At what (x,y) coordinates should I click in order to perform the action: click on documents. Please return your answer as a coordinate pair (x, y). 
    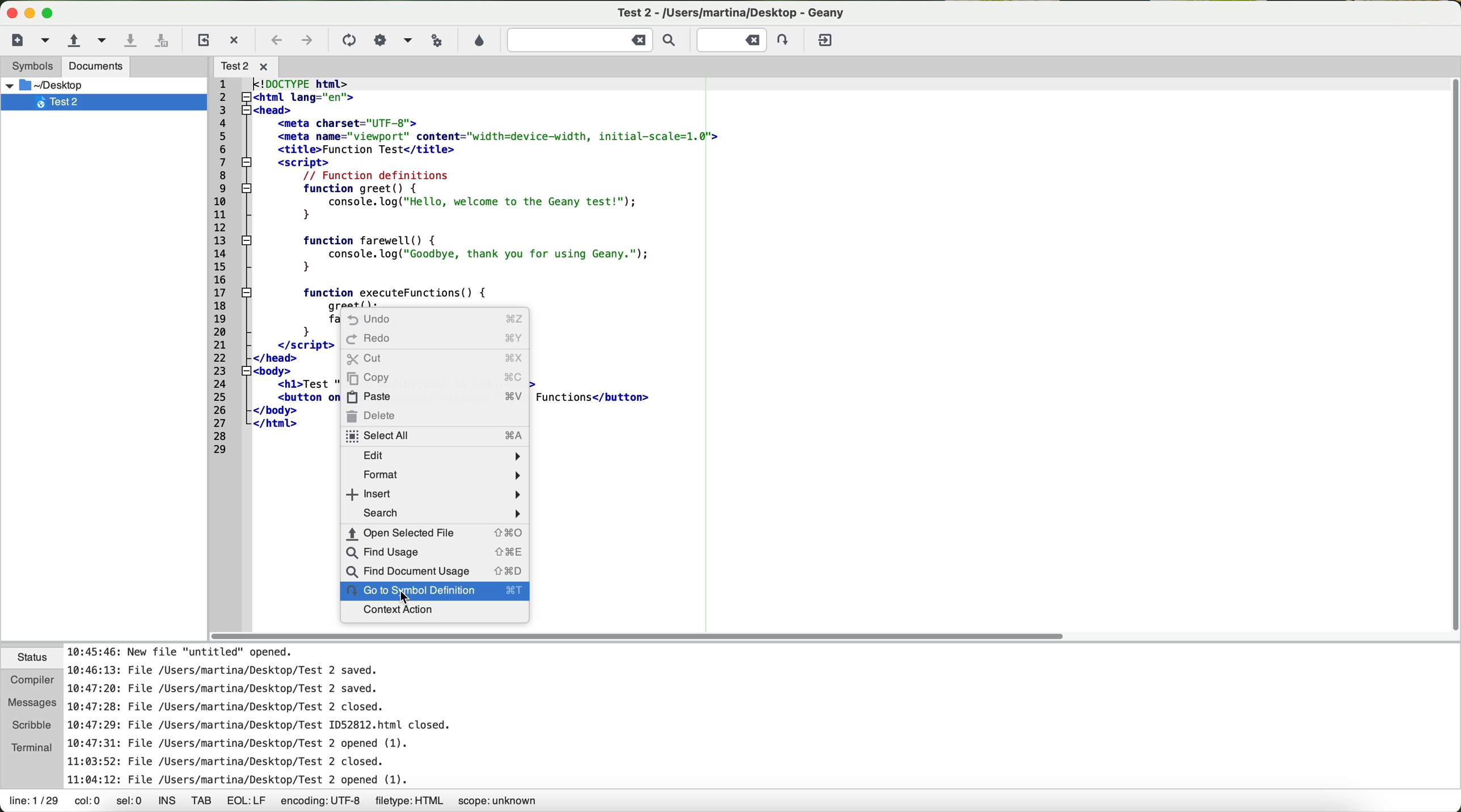
    Looking at the image, I should click on (96, 66).